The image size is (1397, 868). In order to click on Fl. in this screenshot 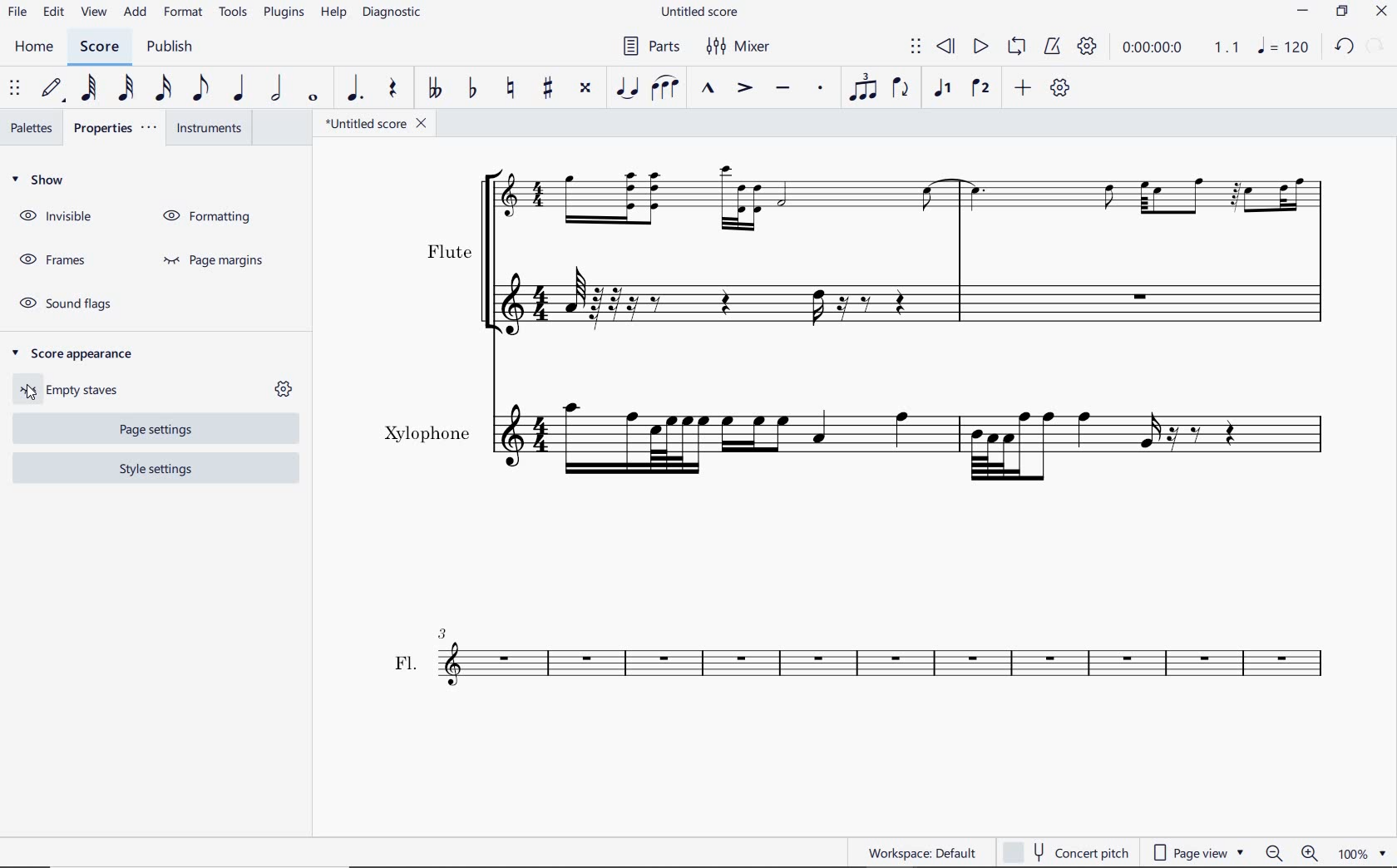, I will do `click(866, 675)`.